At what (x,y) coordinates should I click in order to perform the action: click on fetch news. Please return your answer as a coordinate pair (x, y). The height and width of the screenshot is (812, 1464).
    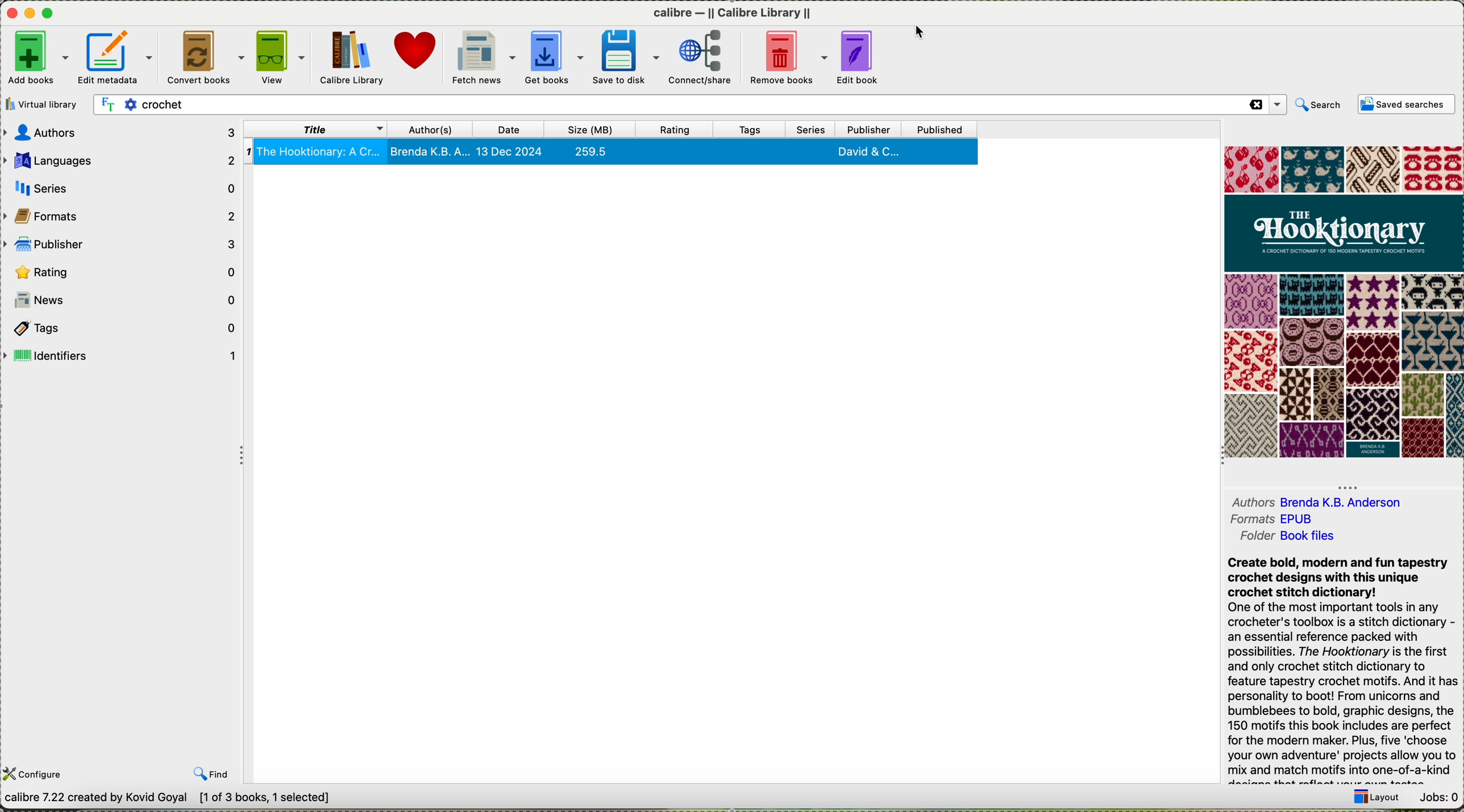
    Looking at the image, I should click on (482, 57).